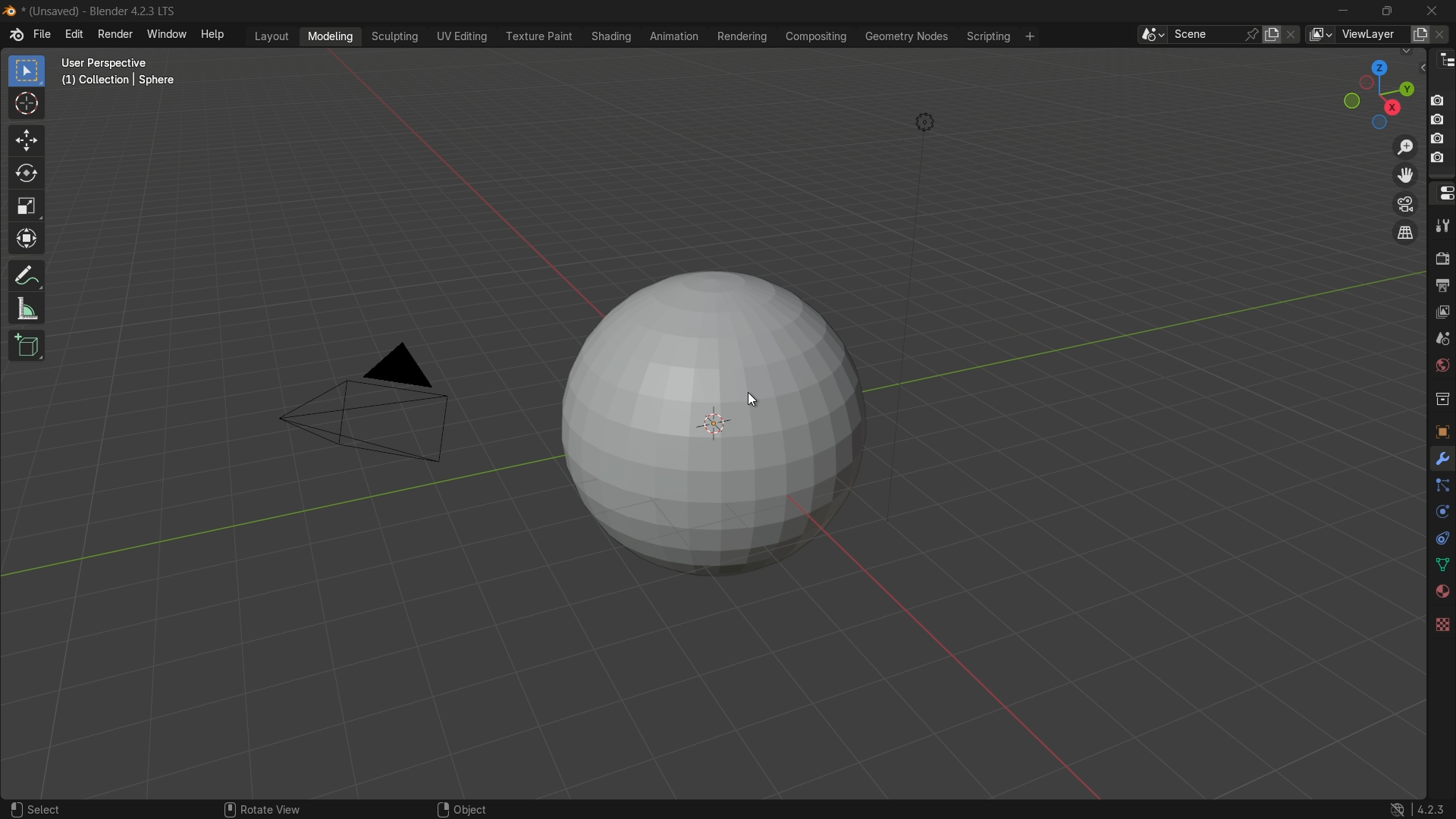 This screenshot has width=1456, height=819. Describe the element at coordinates (1442, 229) in the screenshot. I see `tools` at that location.